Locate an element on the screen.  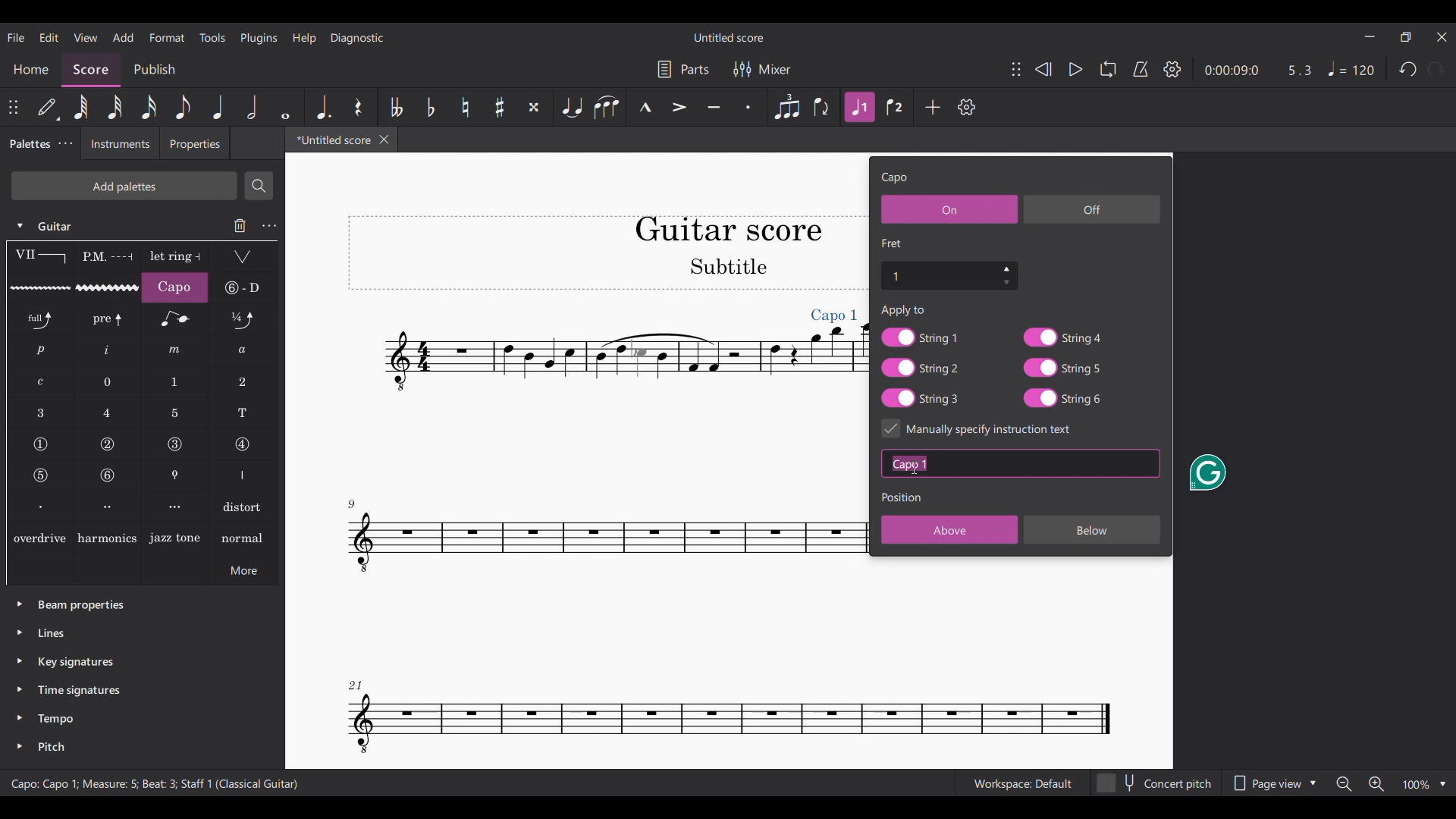
Edit menu is located at coordinates (49, 38).